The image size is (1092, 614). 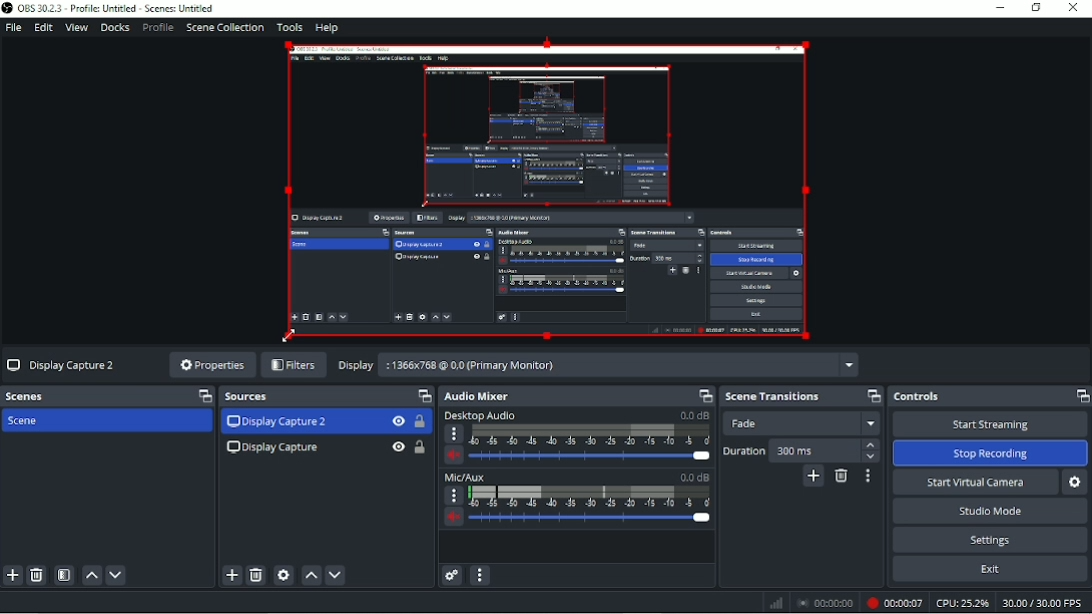 I want to click on OBS 20.2.3 - Profile: Untitled - Scenes: Untitled, so click(x=110, y=8).